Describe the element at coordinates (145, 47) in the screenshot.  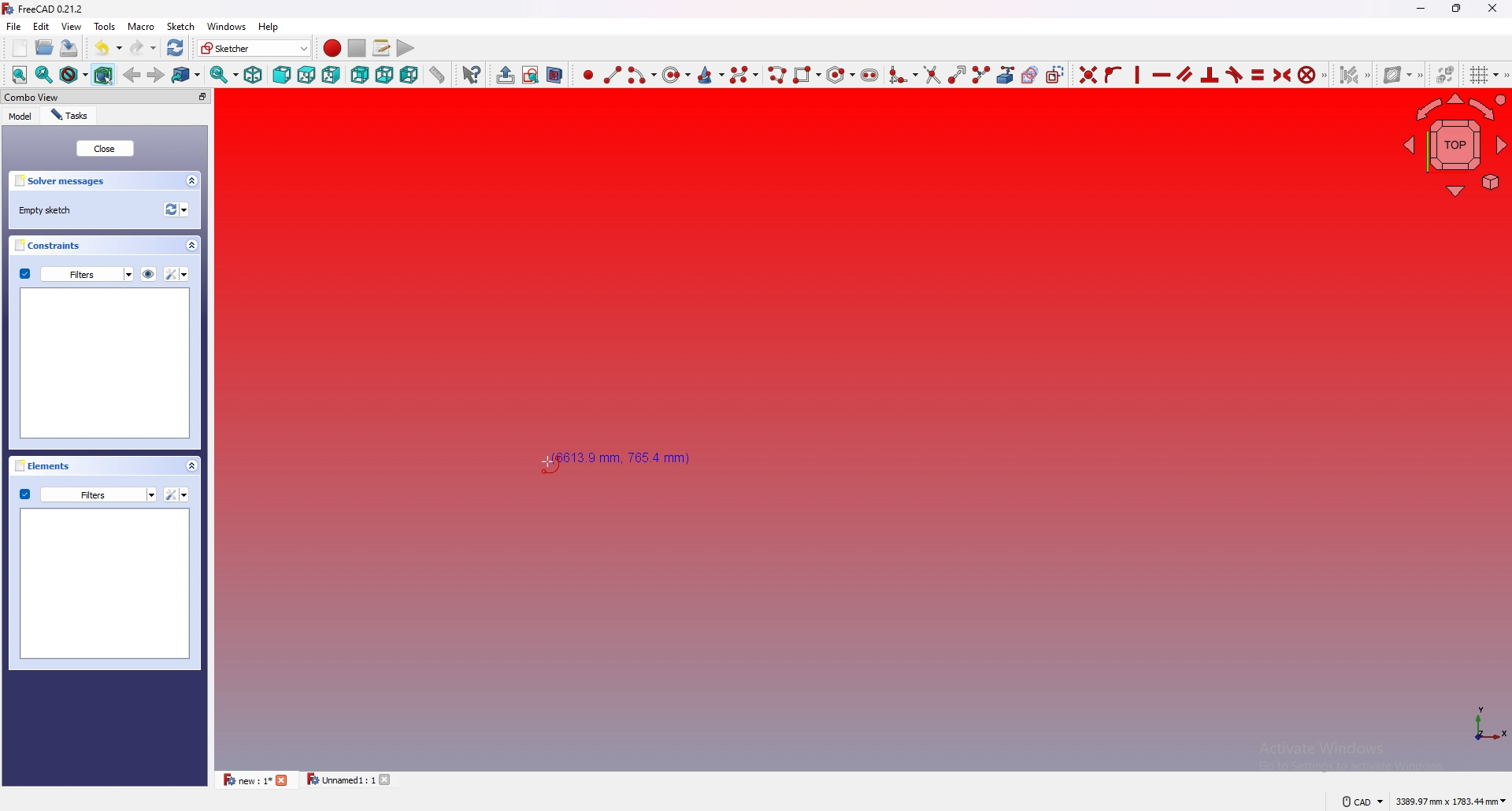
I see `redo` at that location.